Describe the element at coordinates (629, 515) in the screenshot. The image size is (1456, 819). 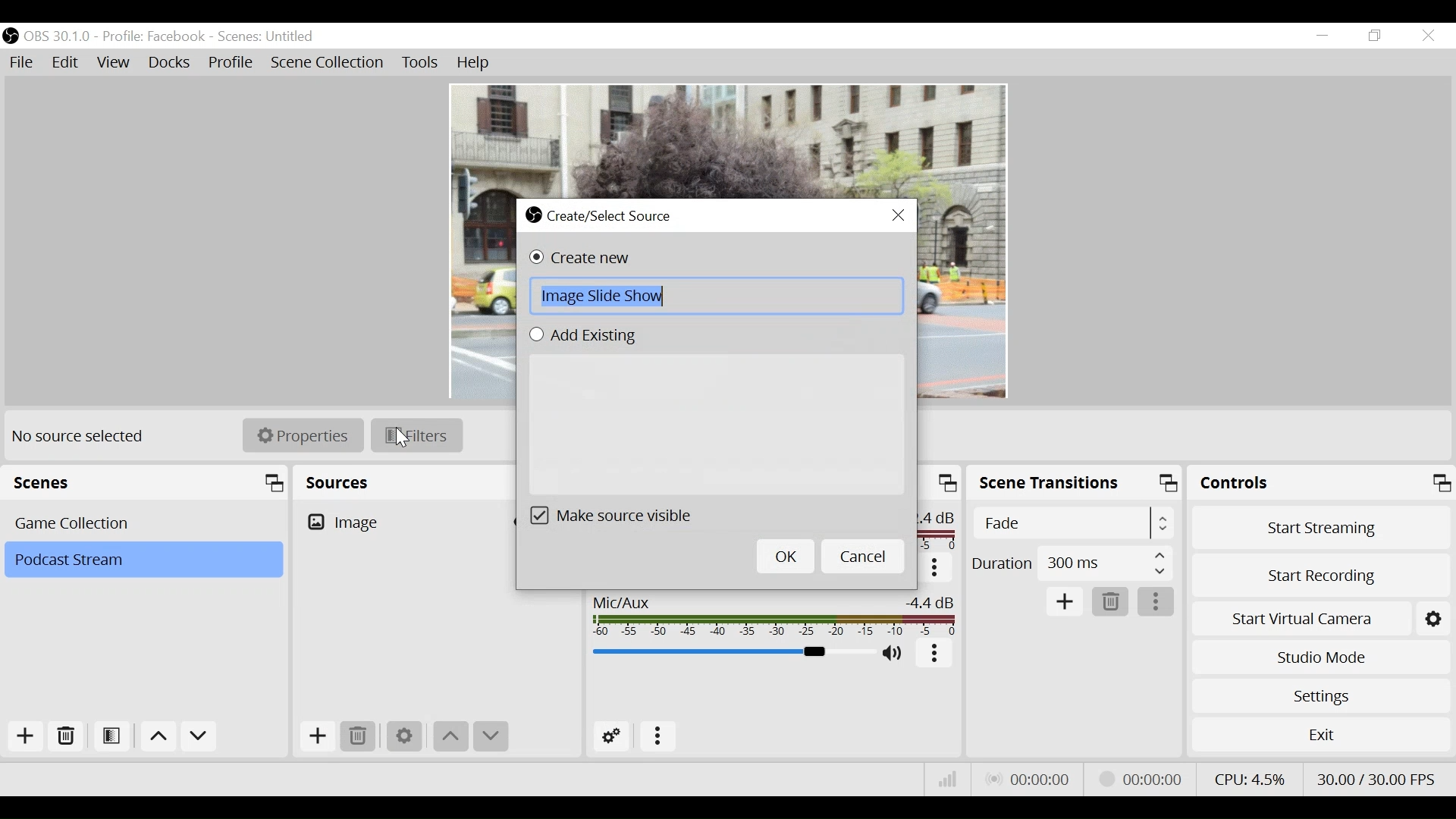
I see `(un)select Make source visible` at that location.